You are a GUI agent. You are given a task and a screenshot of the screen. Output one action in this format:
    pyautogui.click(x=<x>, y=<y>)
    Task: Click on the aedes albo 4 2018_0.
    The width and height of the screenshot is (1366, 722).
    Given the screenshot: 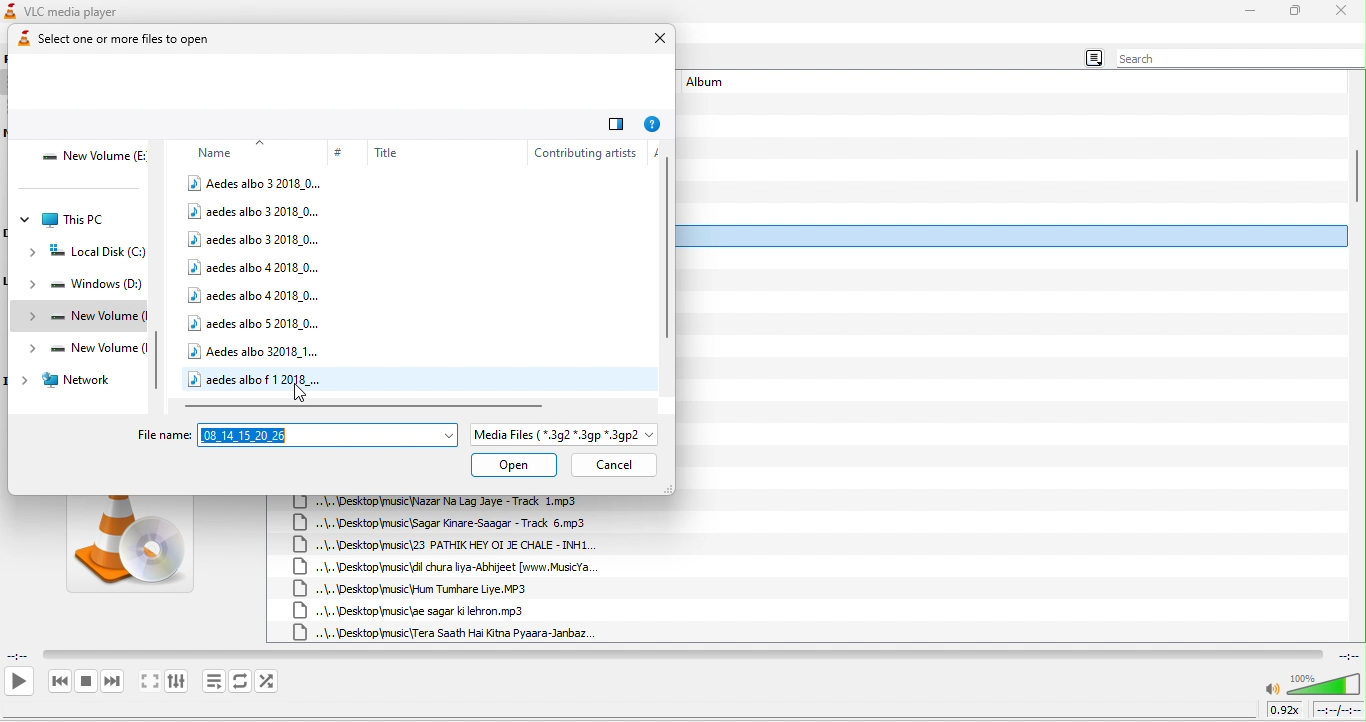 What is the action you would take?
    pyautogui.click(x=256, y=266)
    